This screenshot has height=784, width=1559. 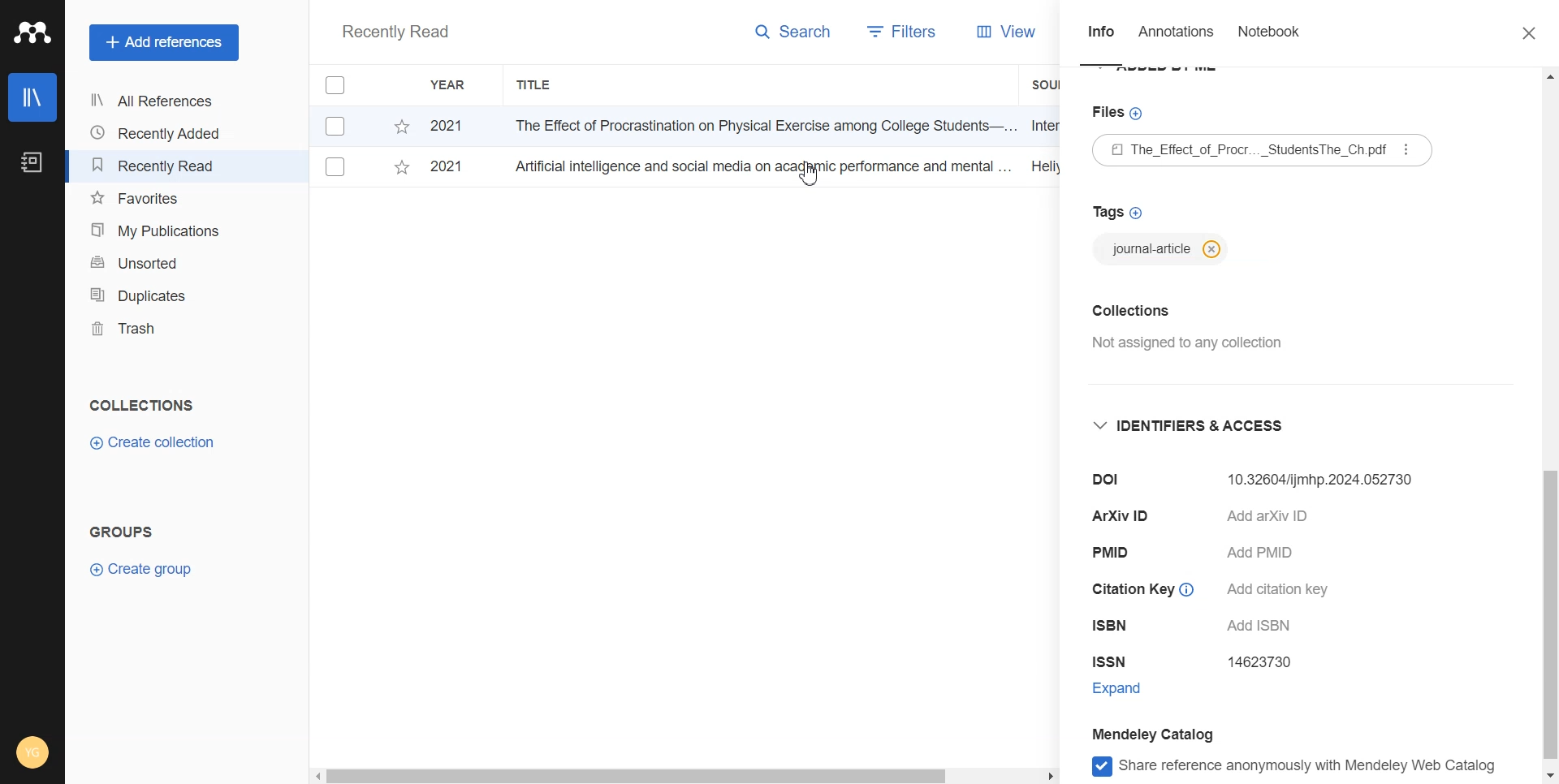 What do you see at coordinates (1206, 554) in the screenshot?
I see `PMID Add PMID` at bounding box center [1206, 554].